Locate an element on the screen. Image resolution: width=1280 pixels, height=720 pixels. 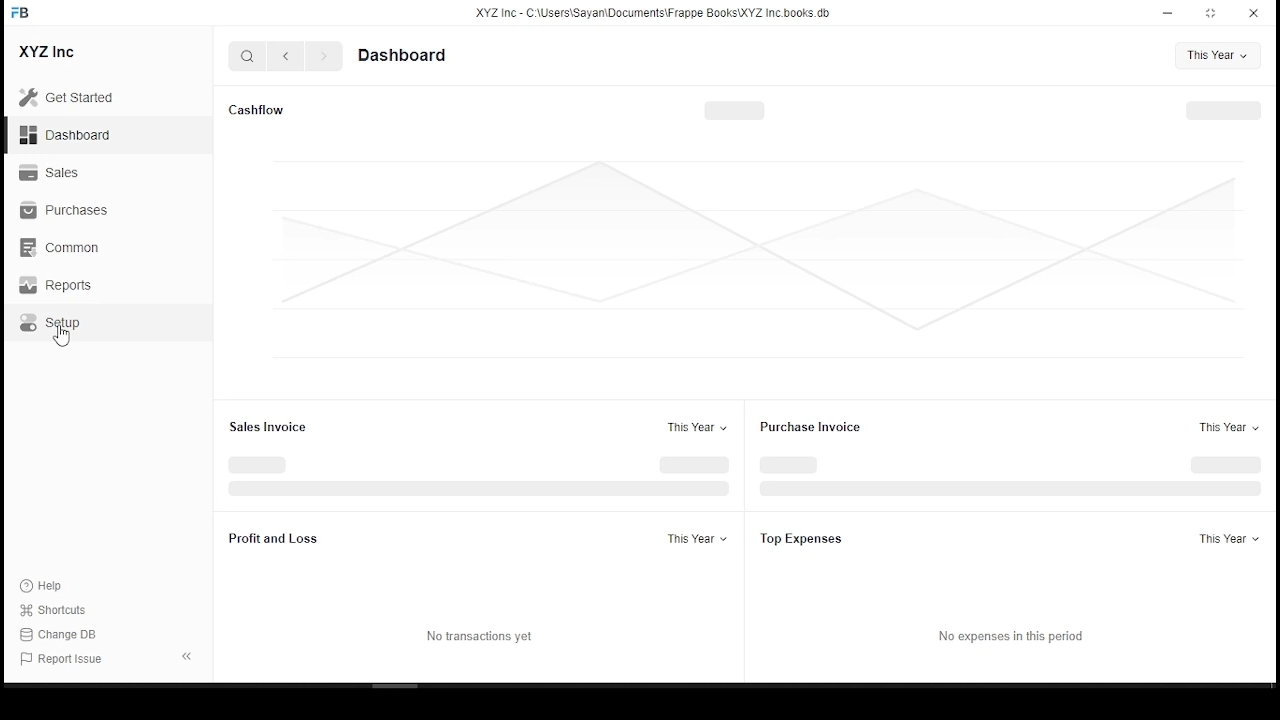
no expenses in this period is located at coordinates (1011, 637).